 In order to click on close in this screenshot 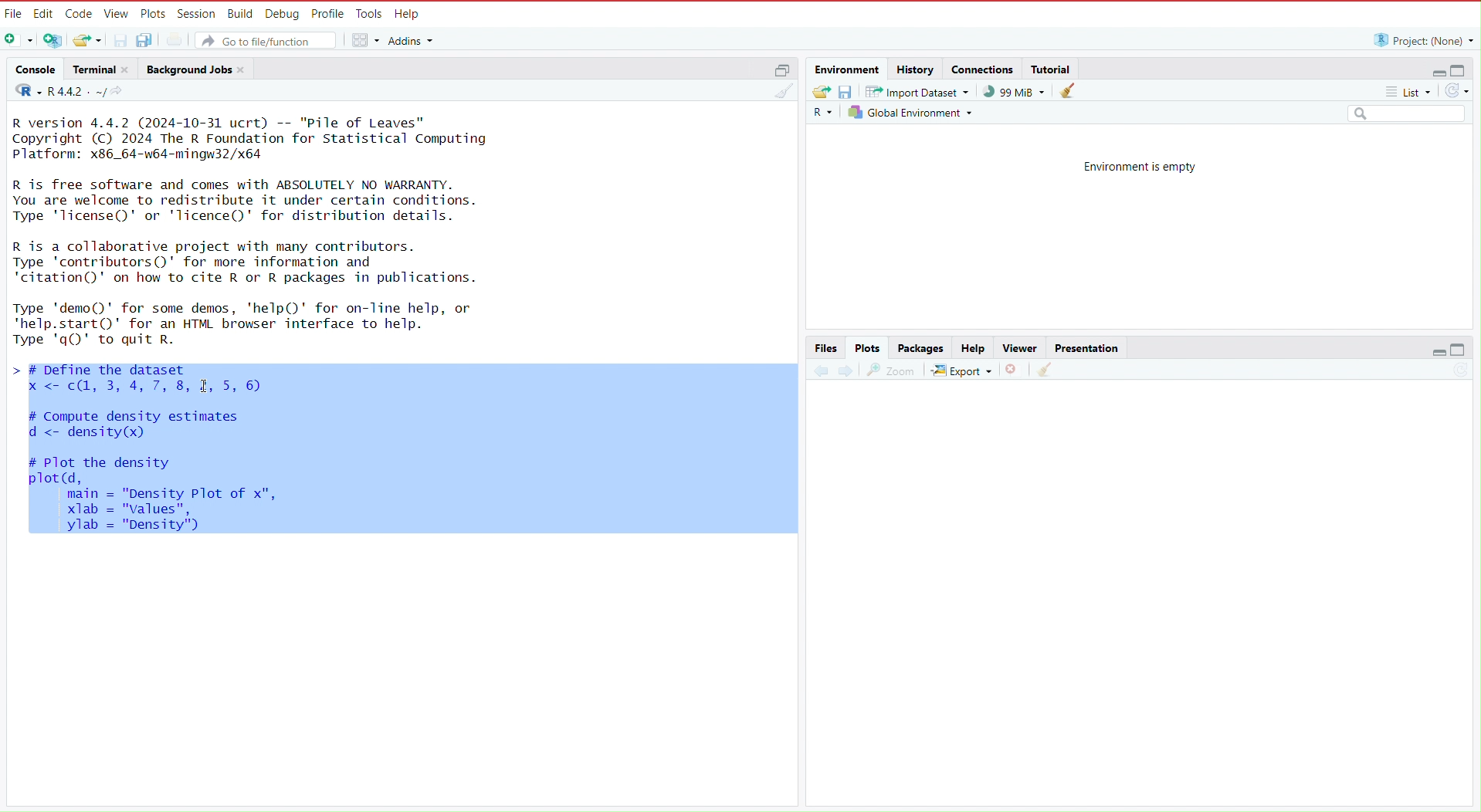, I will do `click(129, 69)`.